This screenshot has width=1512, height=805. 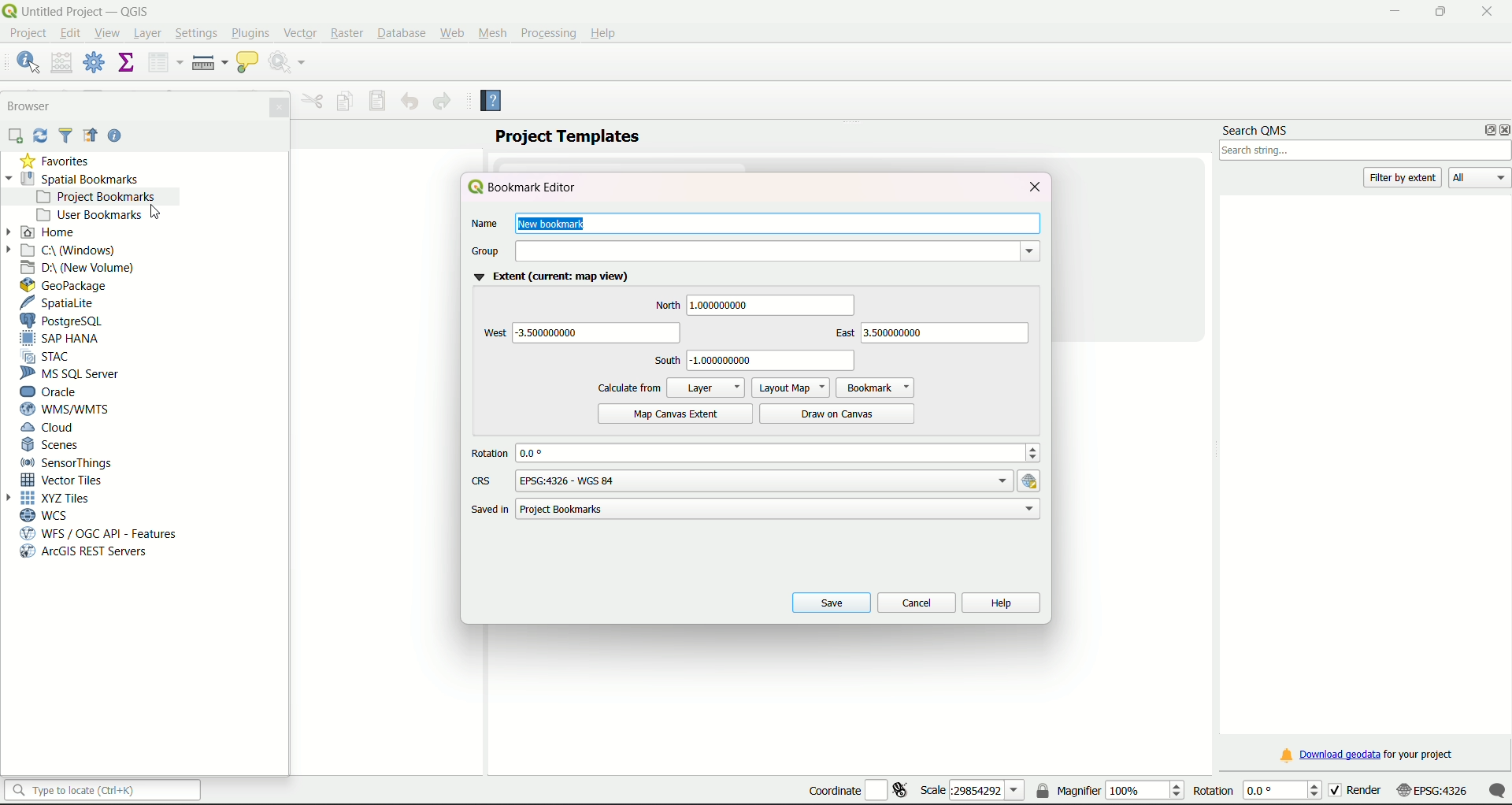 What do you see at coordinates (917, 603) in the screenshot?
I see `cancel` at bounding box center [917, 603].